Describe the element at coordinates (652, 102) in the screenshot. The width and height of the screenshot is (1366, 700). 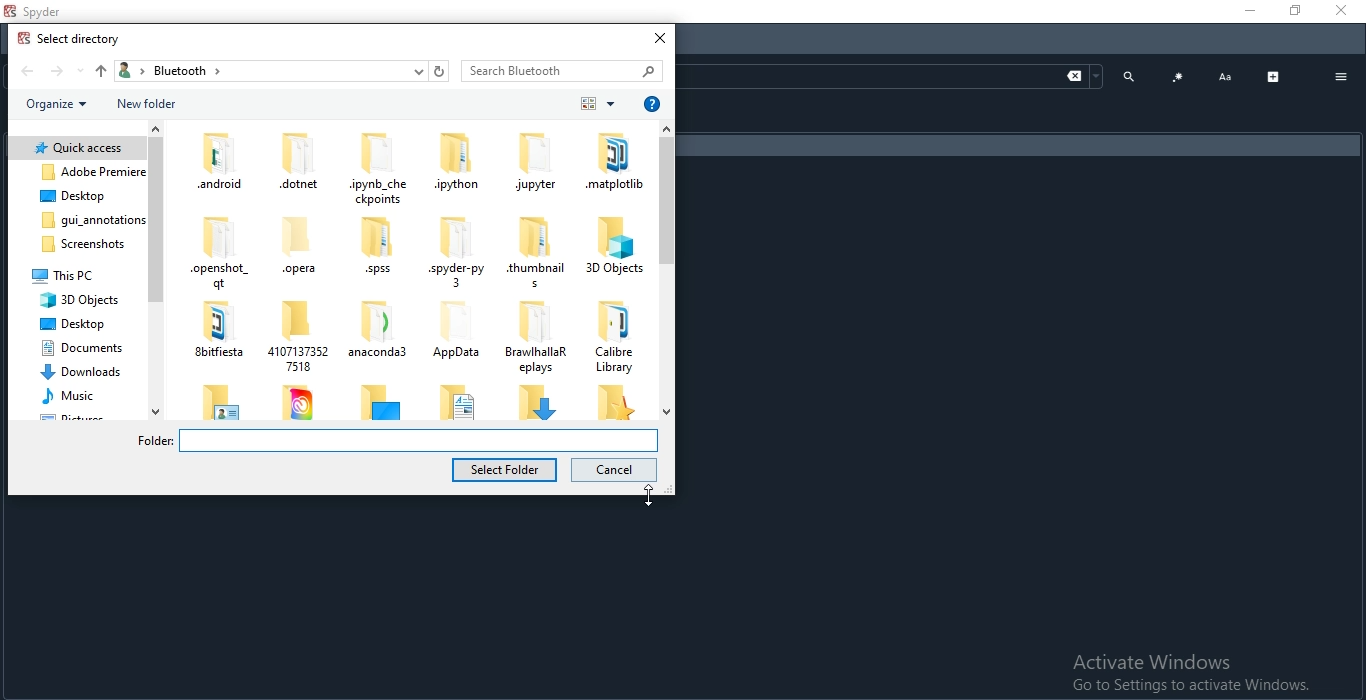
I see `help` at that location.